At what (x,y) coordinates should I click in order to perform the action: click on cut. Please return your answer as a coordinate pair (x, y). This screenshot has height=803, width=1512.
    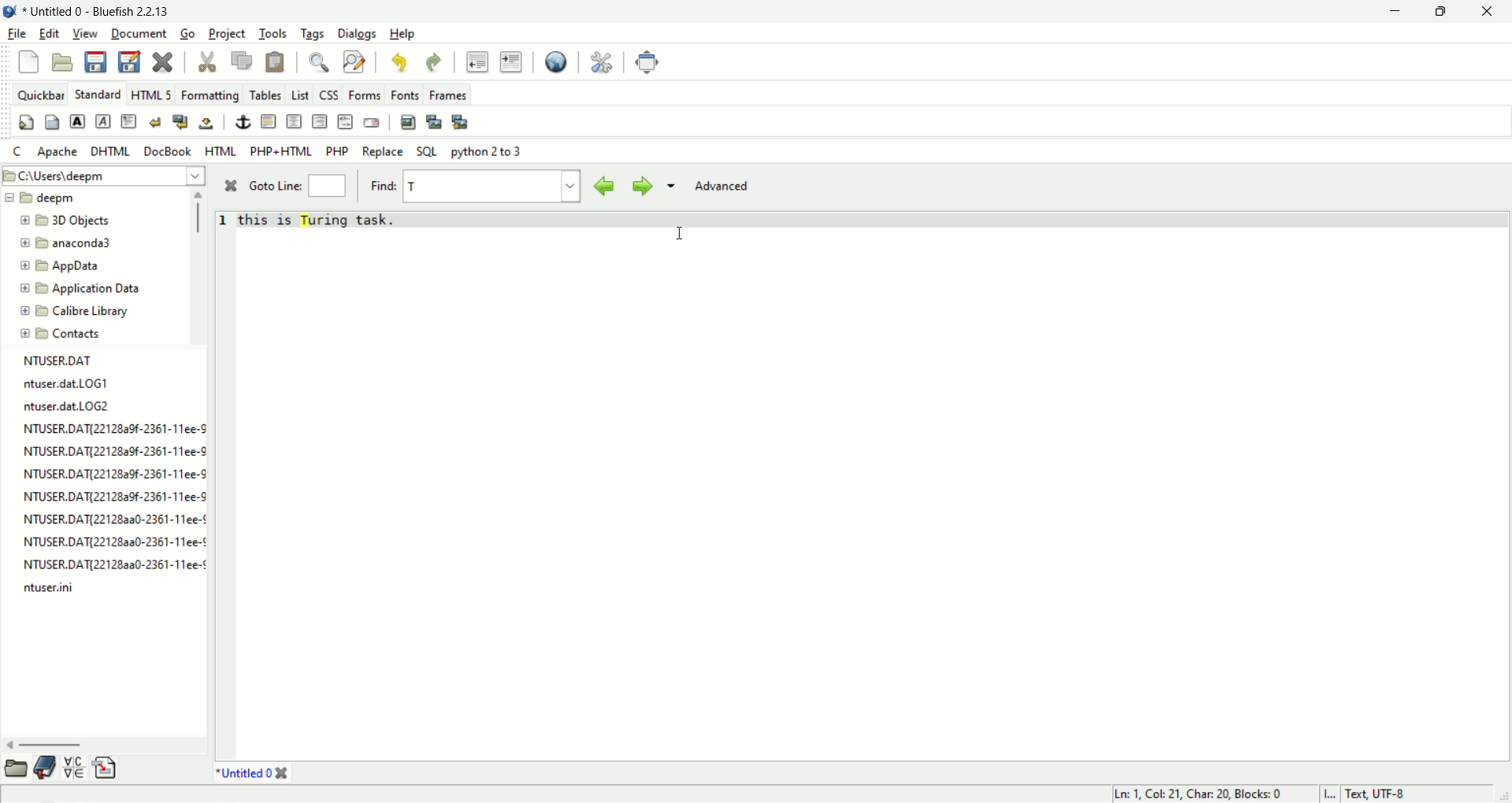
    Looking at the image, I should click on (209, 63).